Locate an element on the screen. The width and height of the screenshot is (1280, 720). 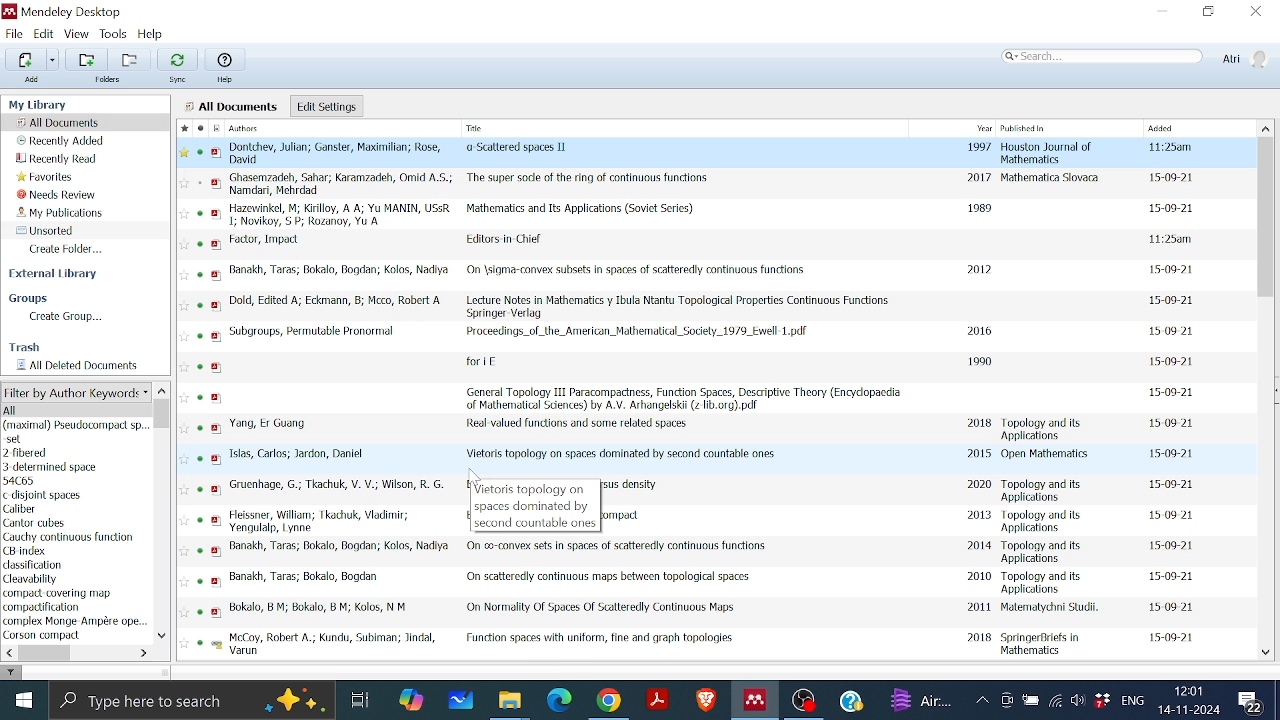
date is located at coordinates (1172, 546).